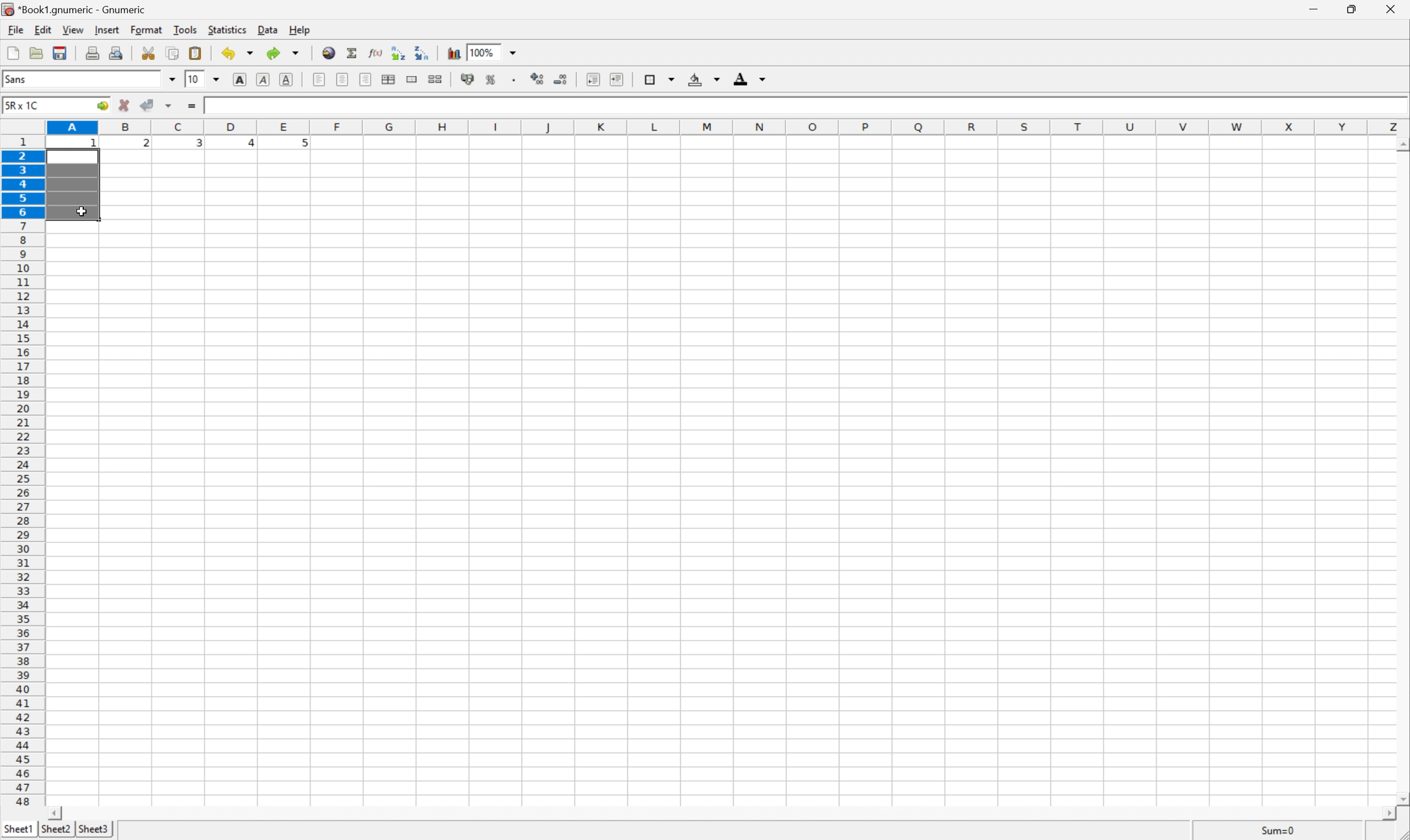  Describe the element at coordinates (168, 106) in the screenshot. I see `accept changes across selection` at that location.